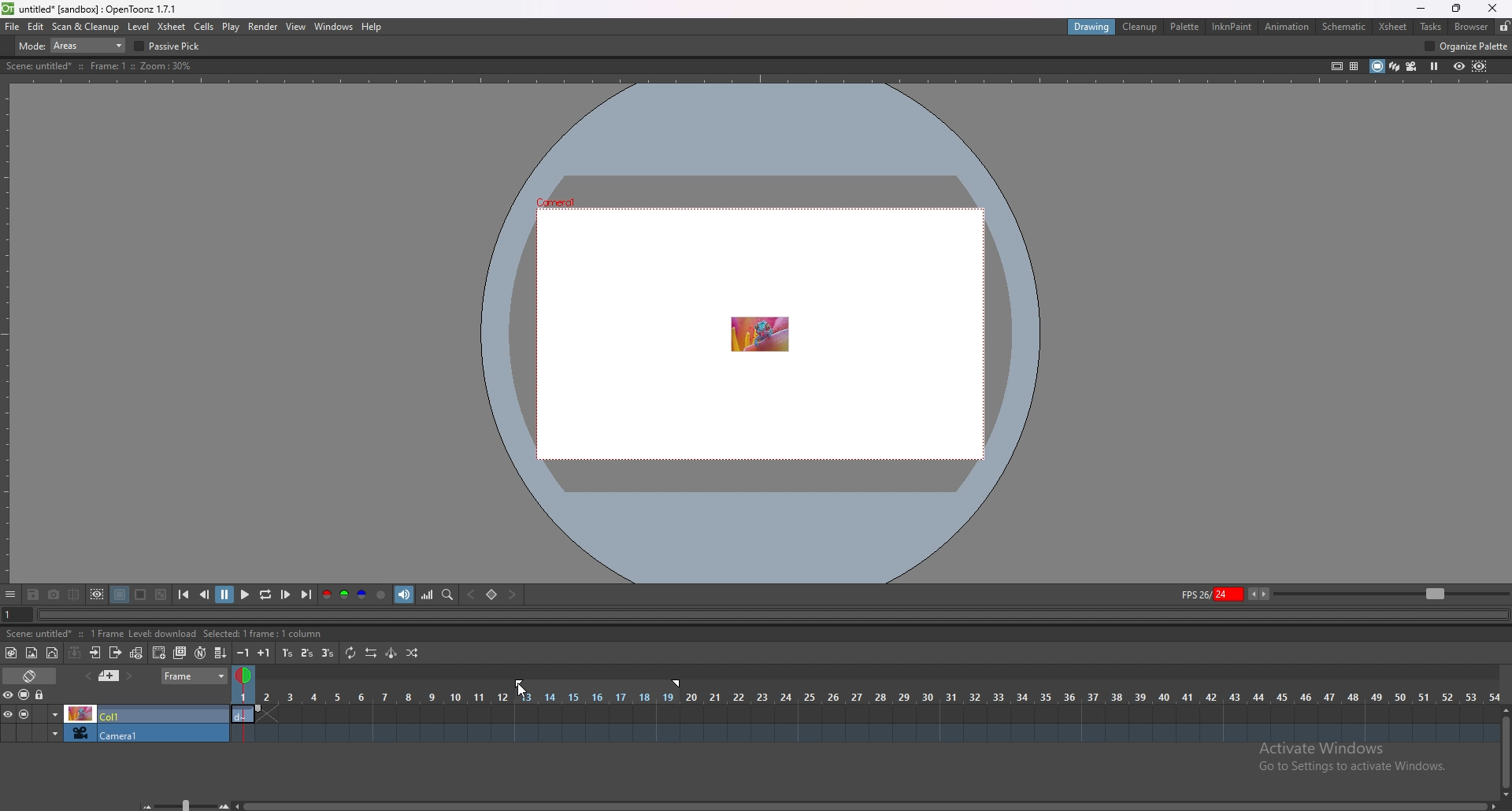 This screenshot has height=811, width=1512. What do you see at coordinates (371, 27) in the screenshot?
I see `help` at bounding box center [371, 27].